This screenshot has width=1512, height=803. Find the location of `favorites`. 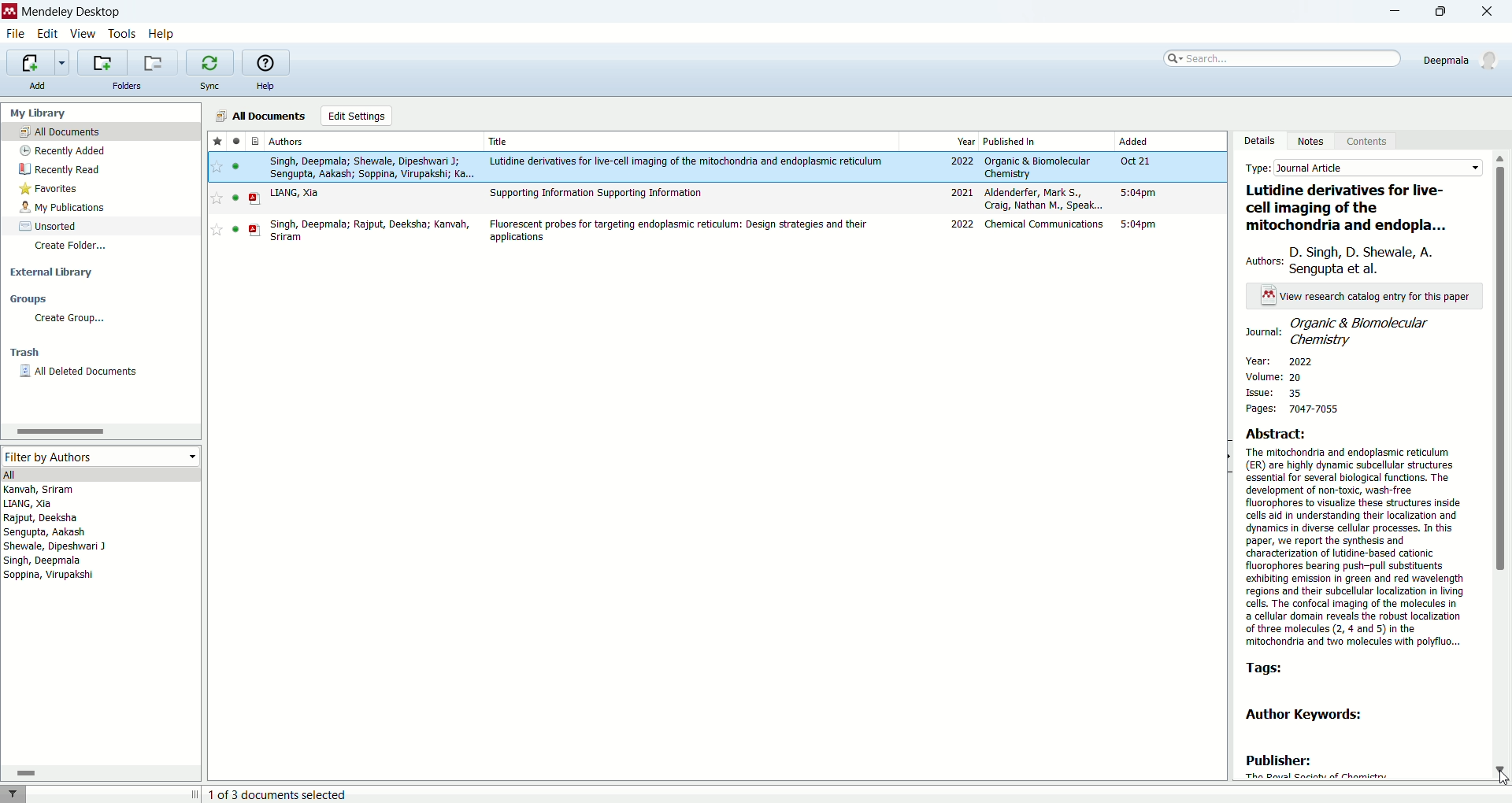

favorites is located at coordinates (50, 189).